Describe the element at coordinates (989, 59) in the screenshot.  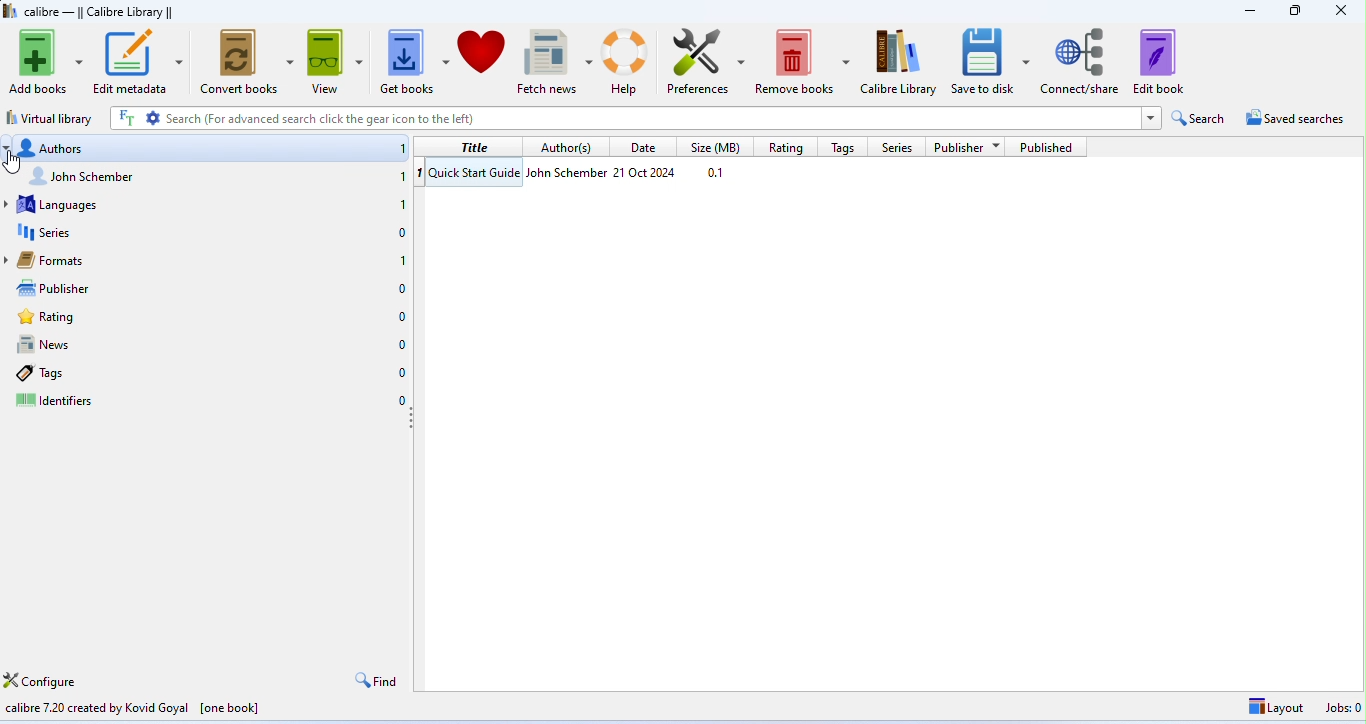
I see `save to disk` at that location.